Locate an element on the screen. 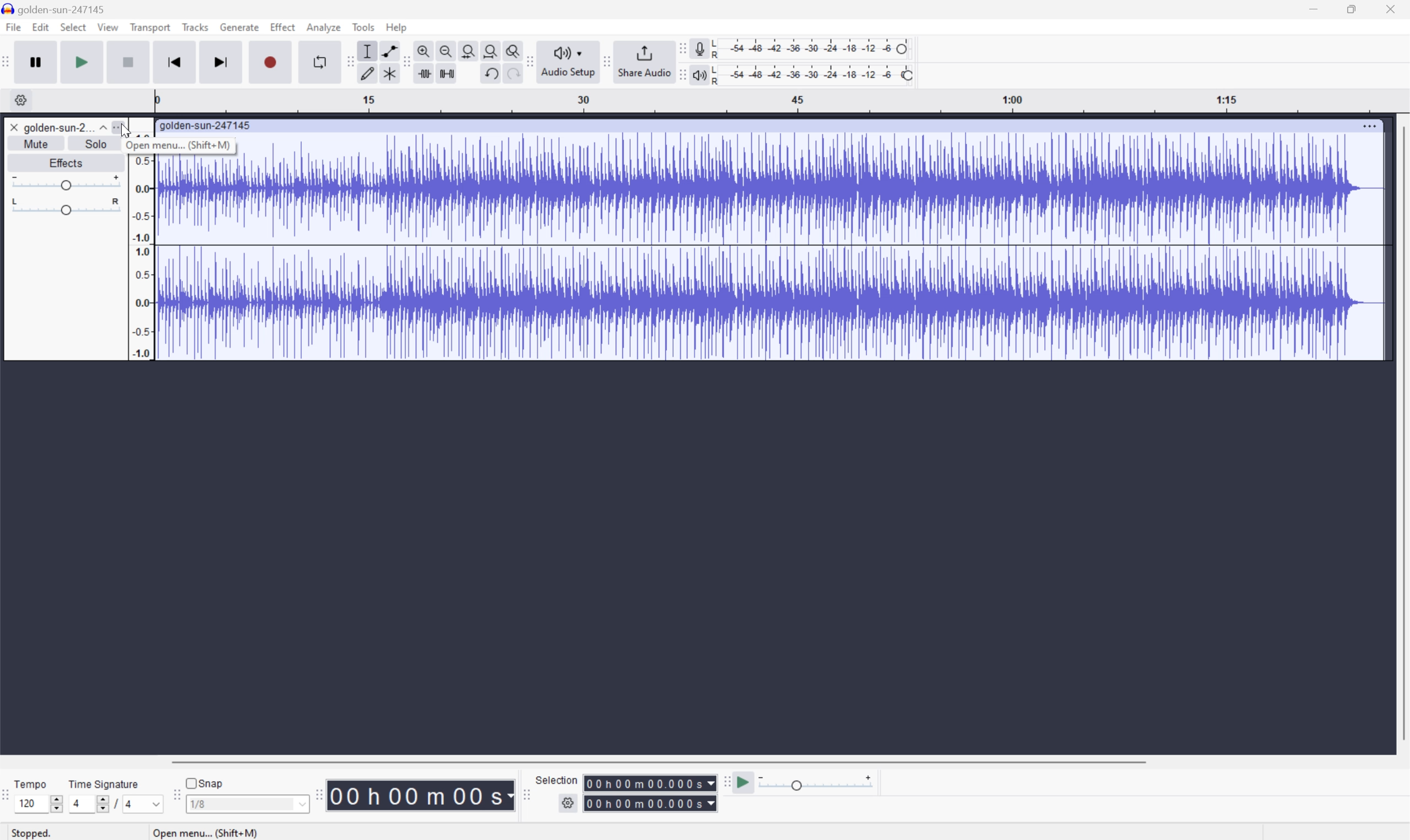 This screenshot has height=840, width=1410. Generate is located at coordinates (241, 28).